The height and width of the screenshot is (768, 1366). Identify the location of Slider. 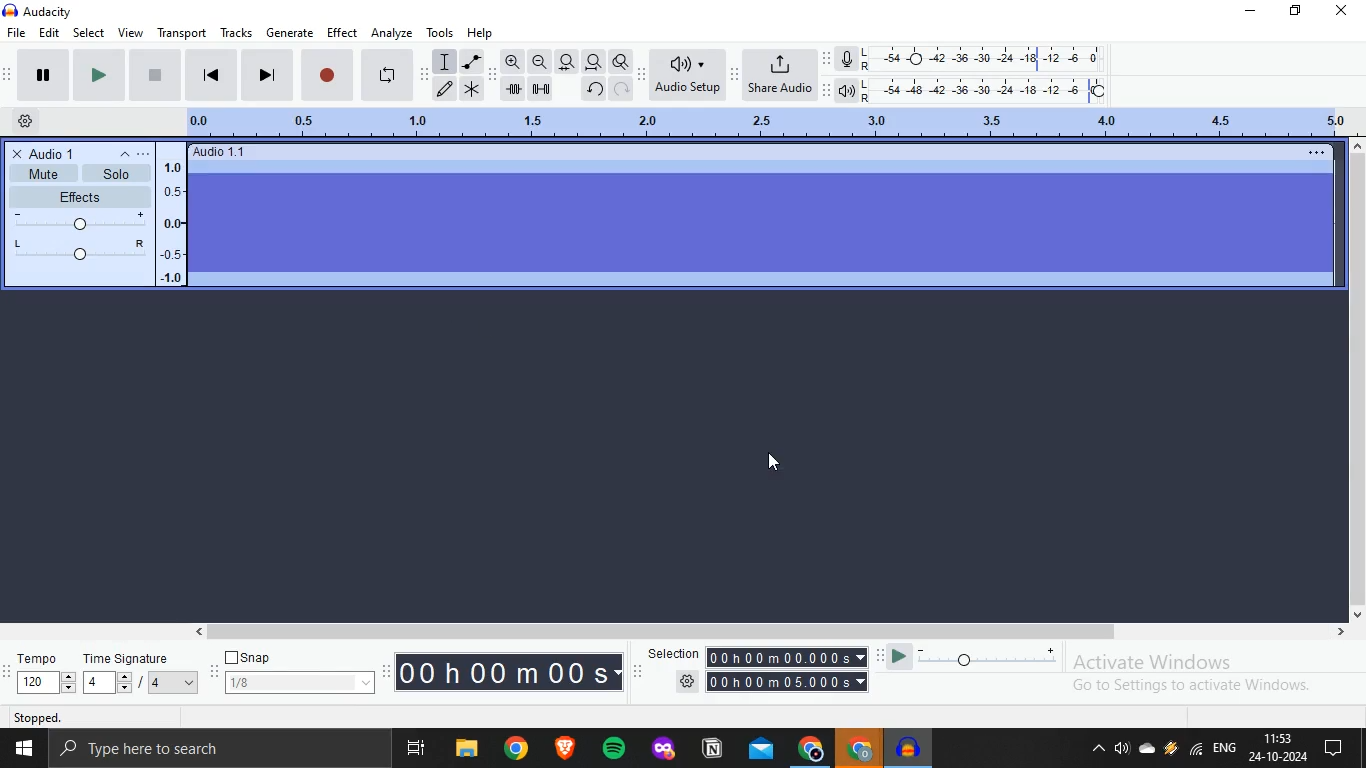
(970, 654).